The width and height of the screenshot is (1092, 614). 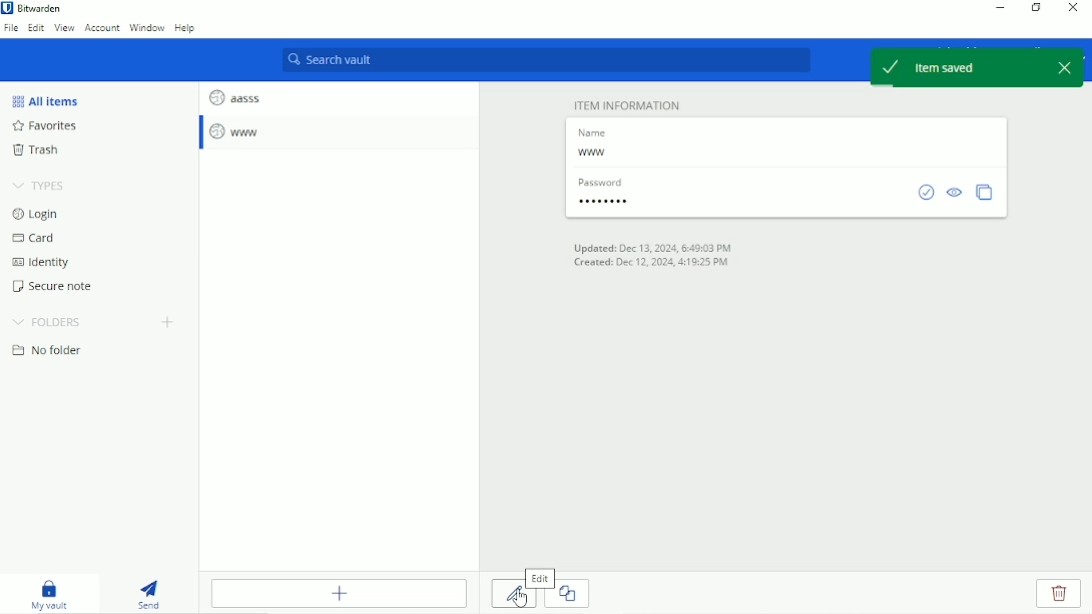 What do you see at coordinates (597, 131) in the screenshot?
I see `Name` at bounding box center [597, 131].